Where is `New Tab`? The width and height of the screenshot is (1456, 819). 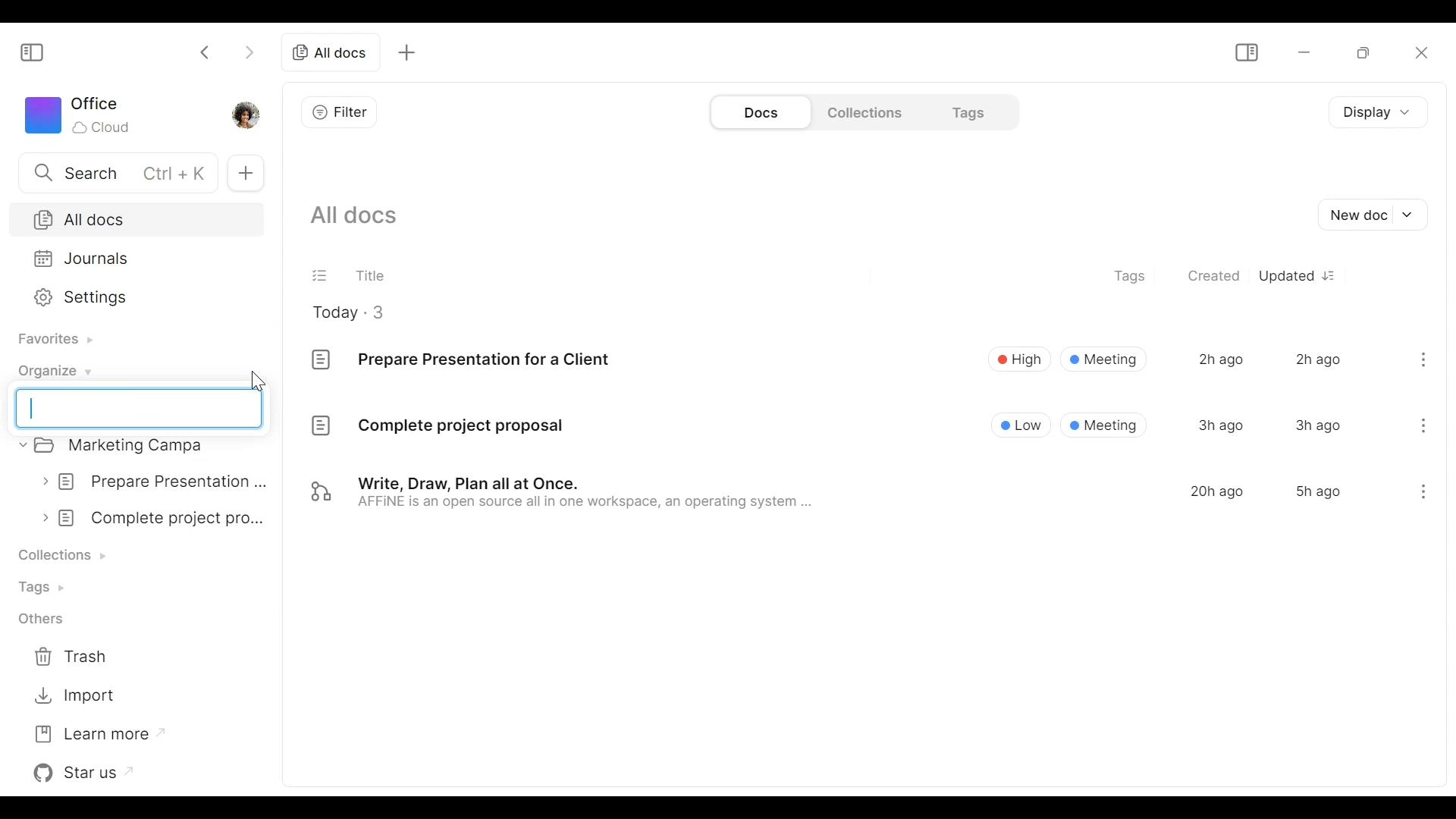
New Tab is located at coordinates (246, 174).